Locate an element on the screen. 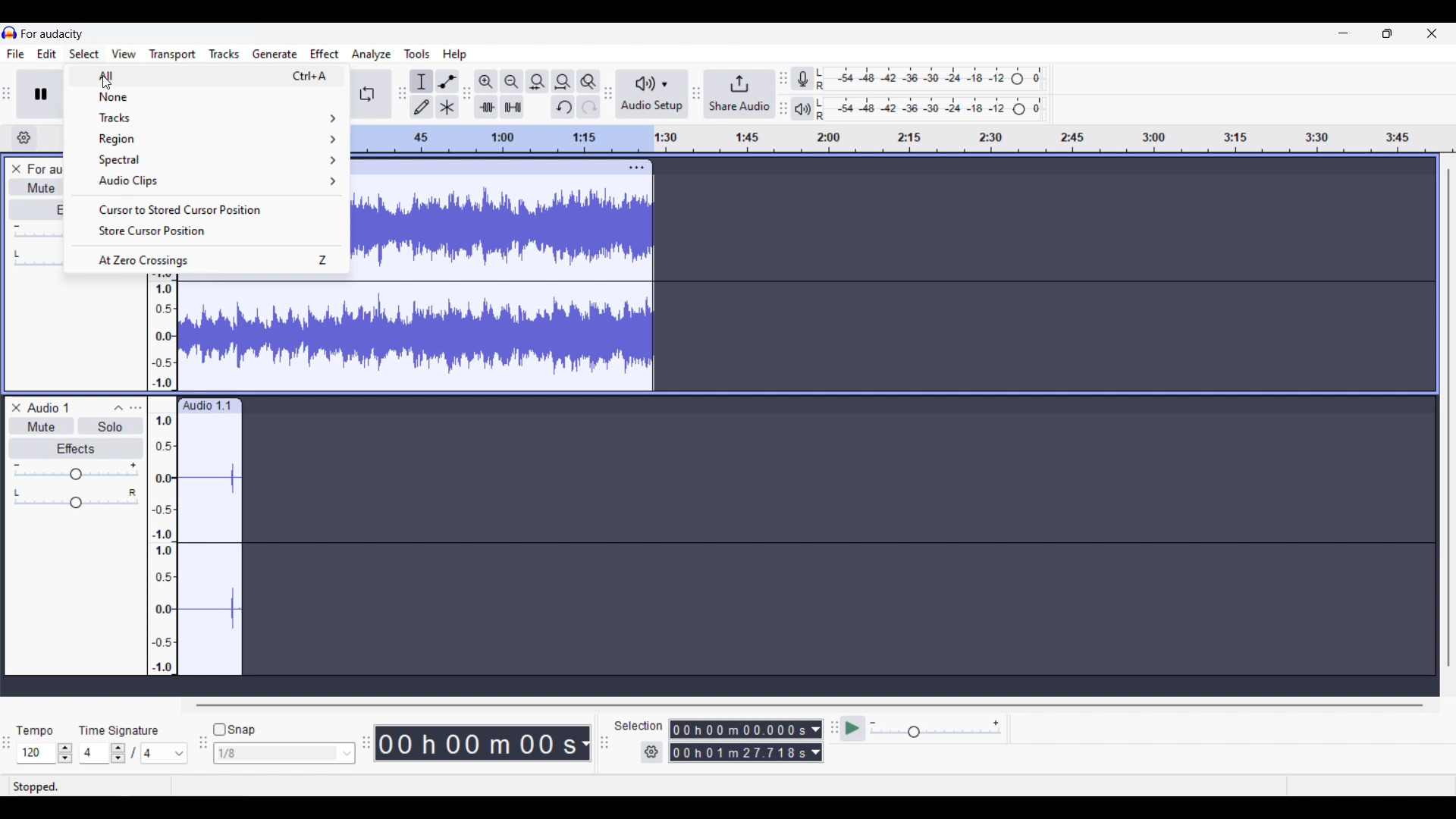 The height and width of the screenshot is (819, 1456). Silence audio selection is located at coordinates (512, 107).